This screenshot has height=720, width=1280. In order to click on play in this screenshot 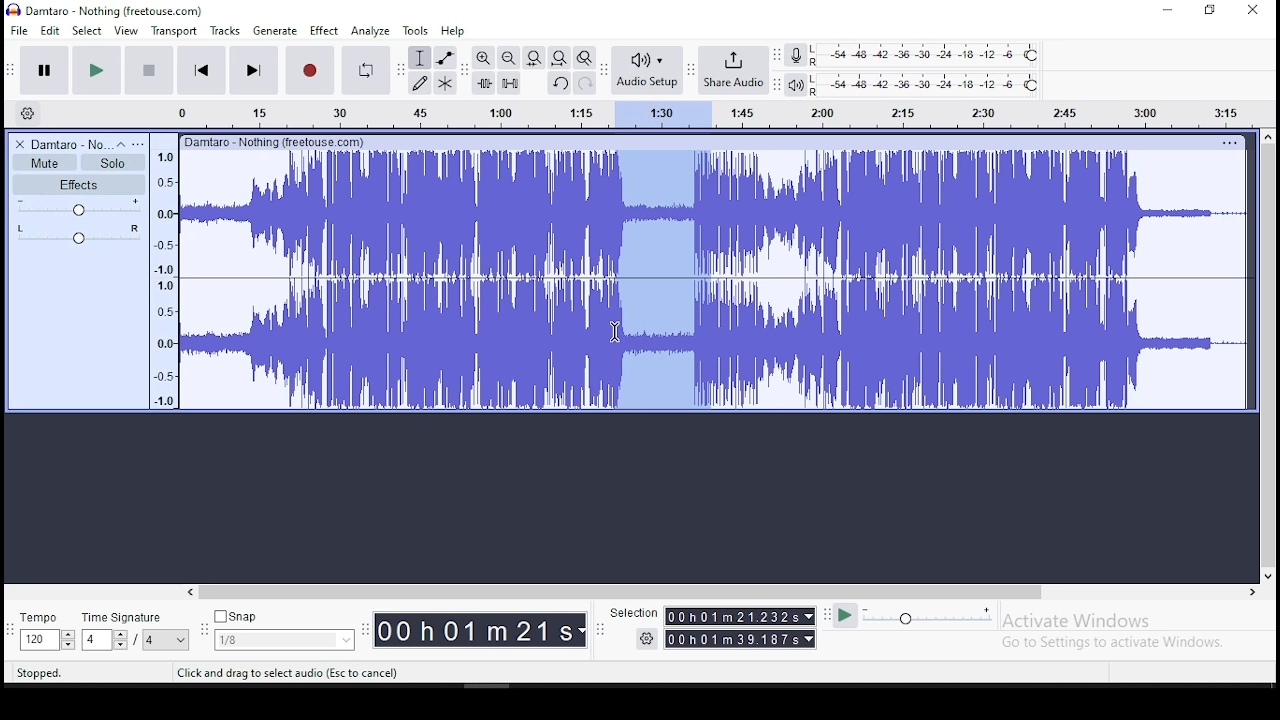, I will do `click(96, 71)`.